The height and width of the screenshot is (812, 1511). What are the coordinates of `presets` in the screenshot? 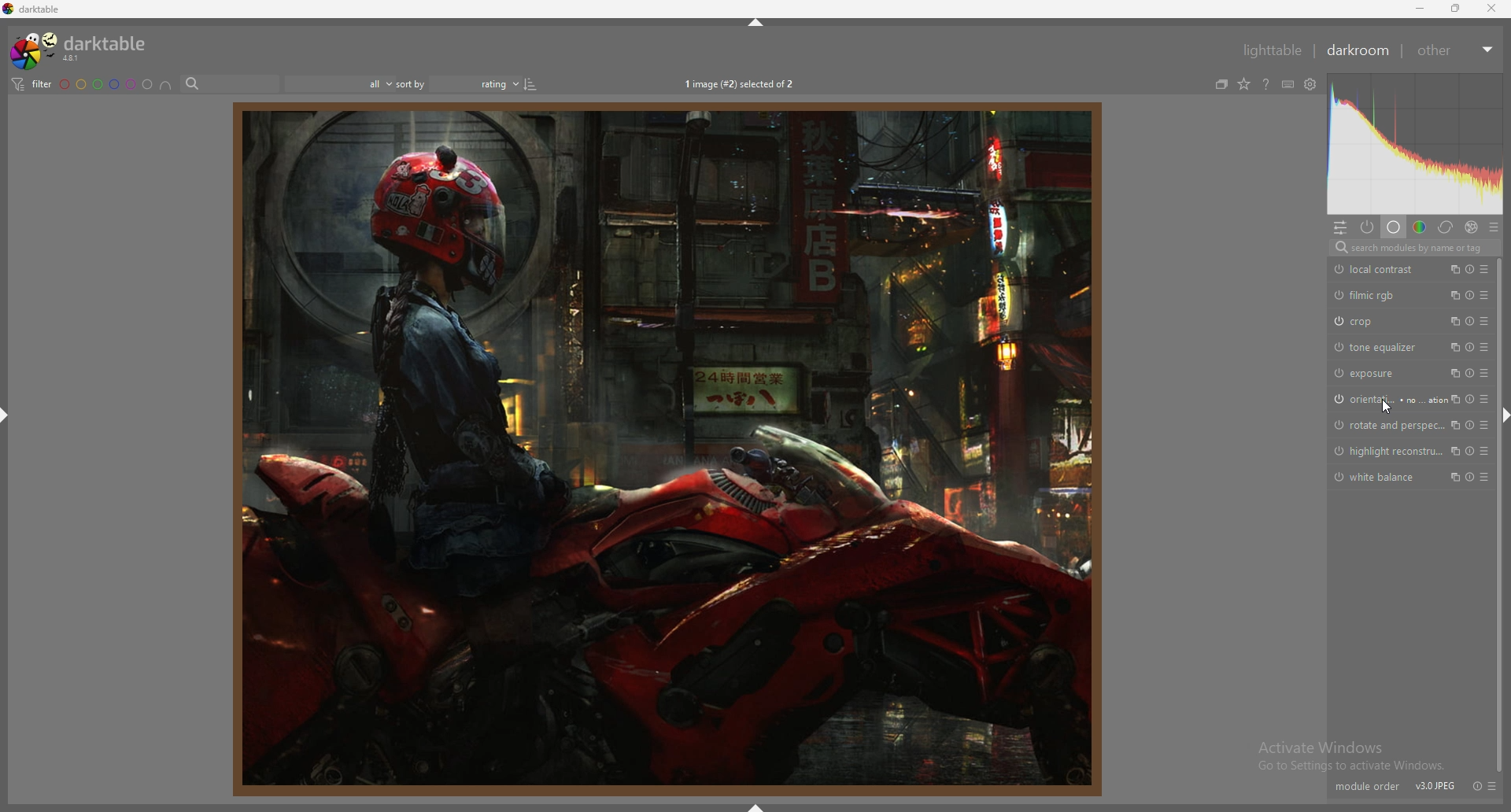 It's located at (1494, 228).